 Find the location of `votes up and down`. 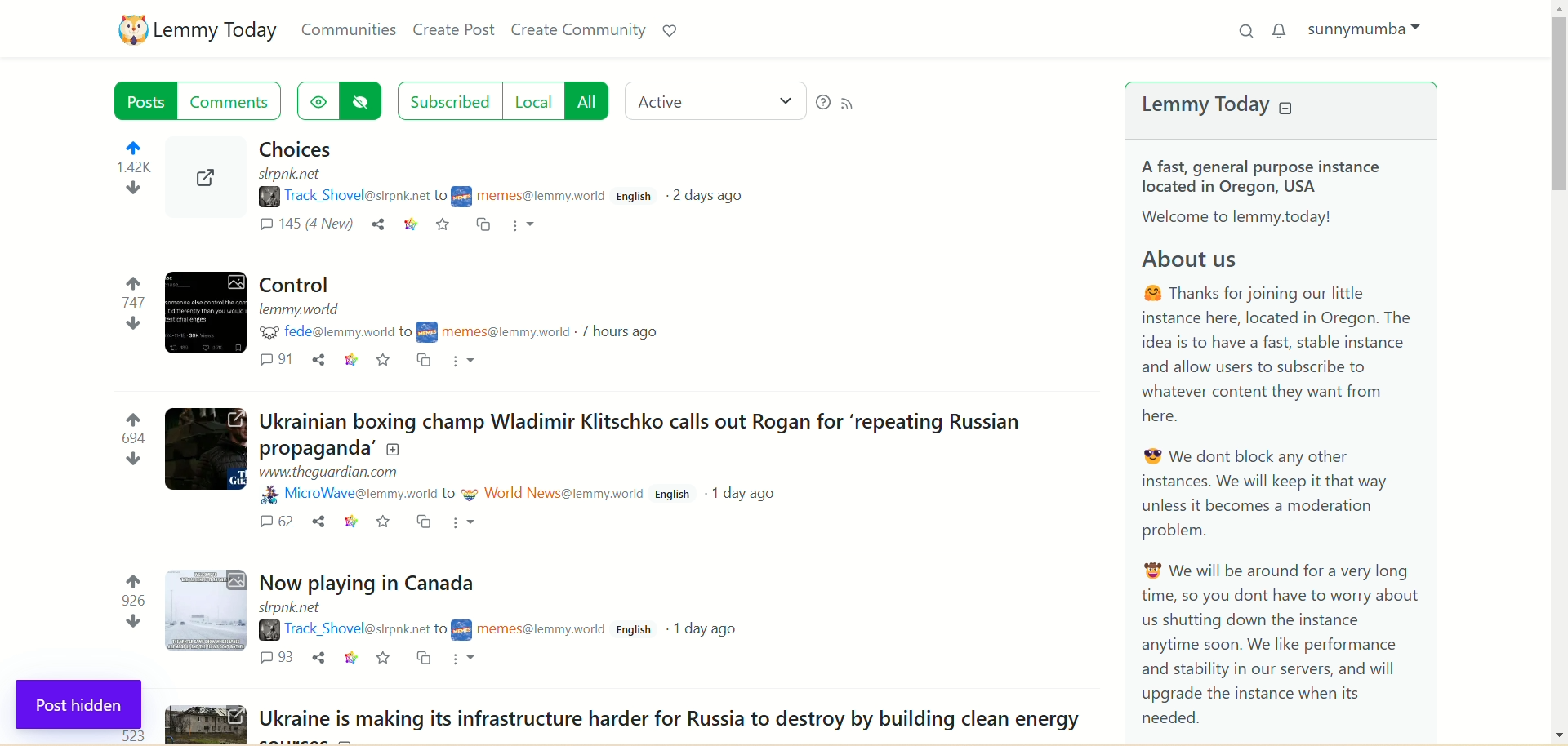

votes up and down is located at coordinates (118, 443).